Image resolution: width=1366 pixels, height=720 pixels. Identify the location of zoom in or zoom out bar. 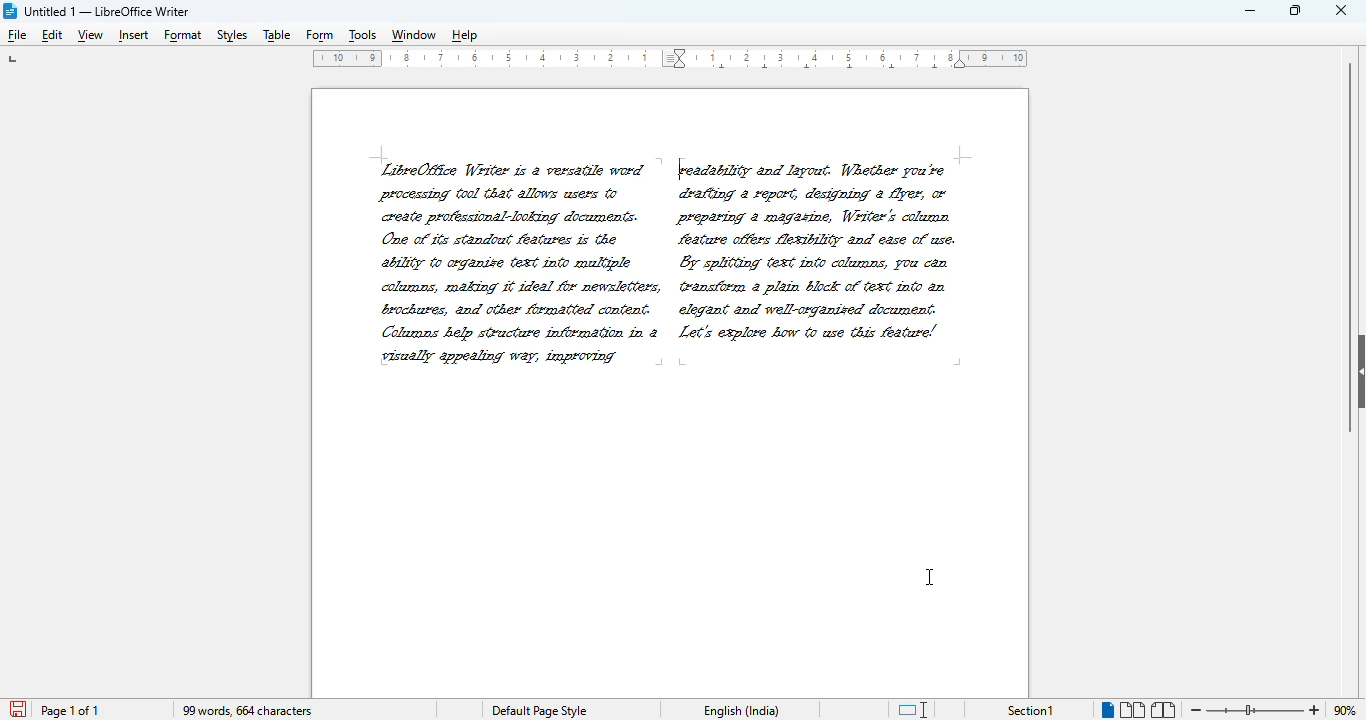
(1255, 710).